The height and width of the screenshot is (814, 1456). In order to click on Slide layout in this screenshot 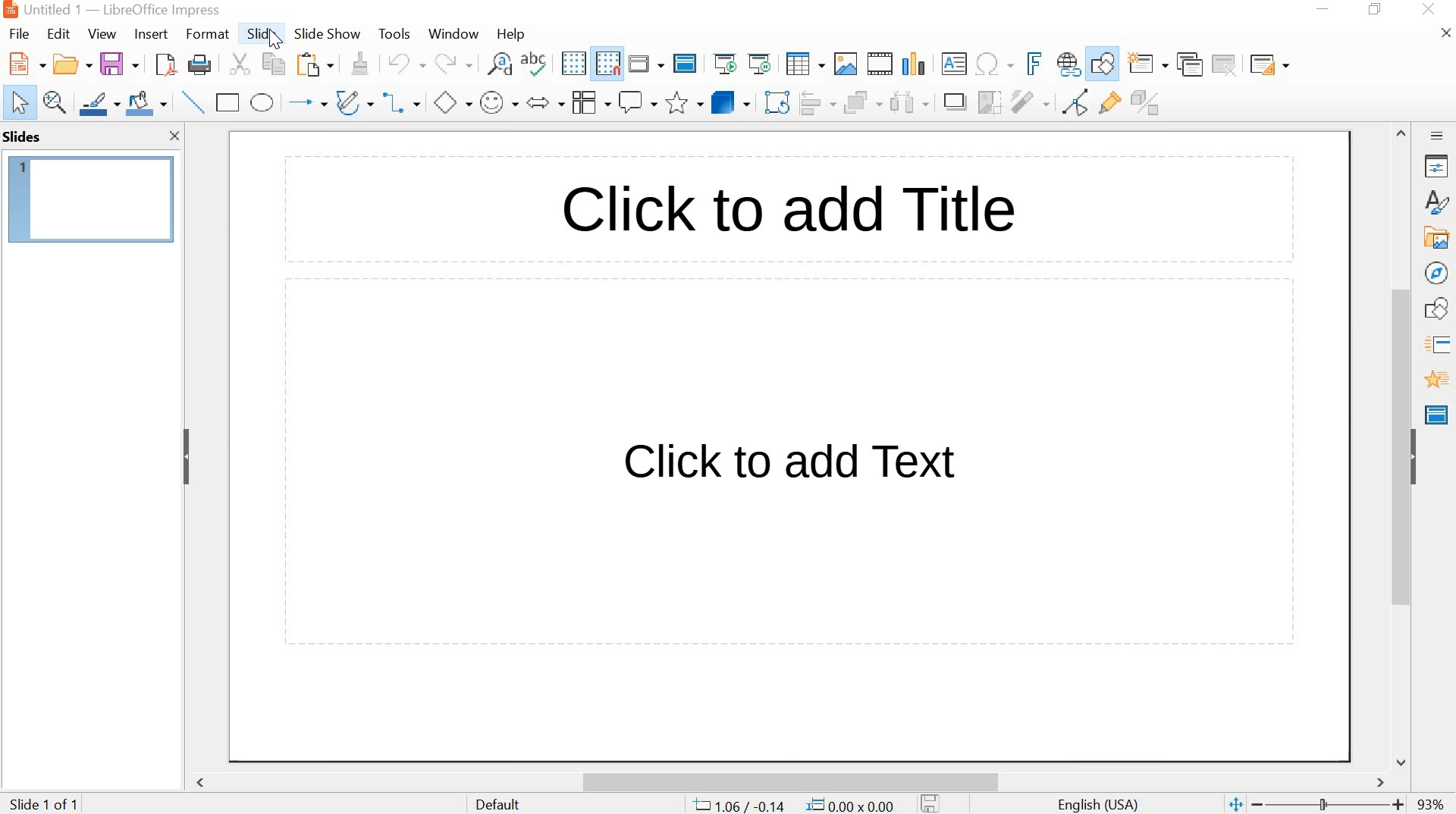, I will do `click(1269, 61)`.